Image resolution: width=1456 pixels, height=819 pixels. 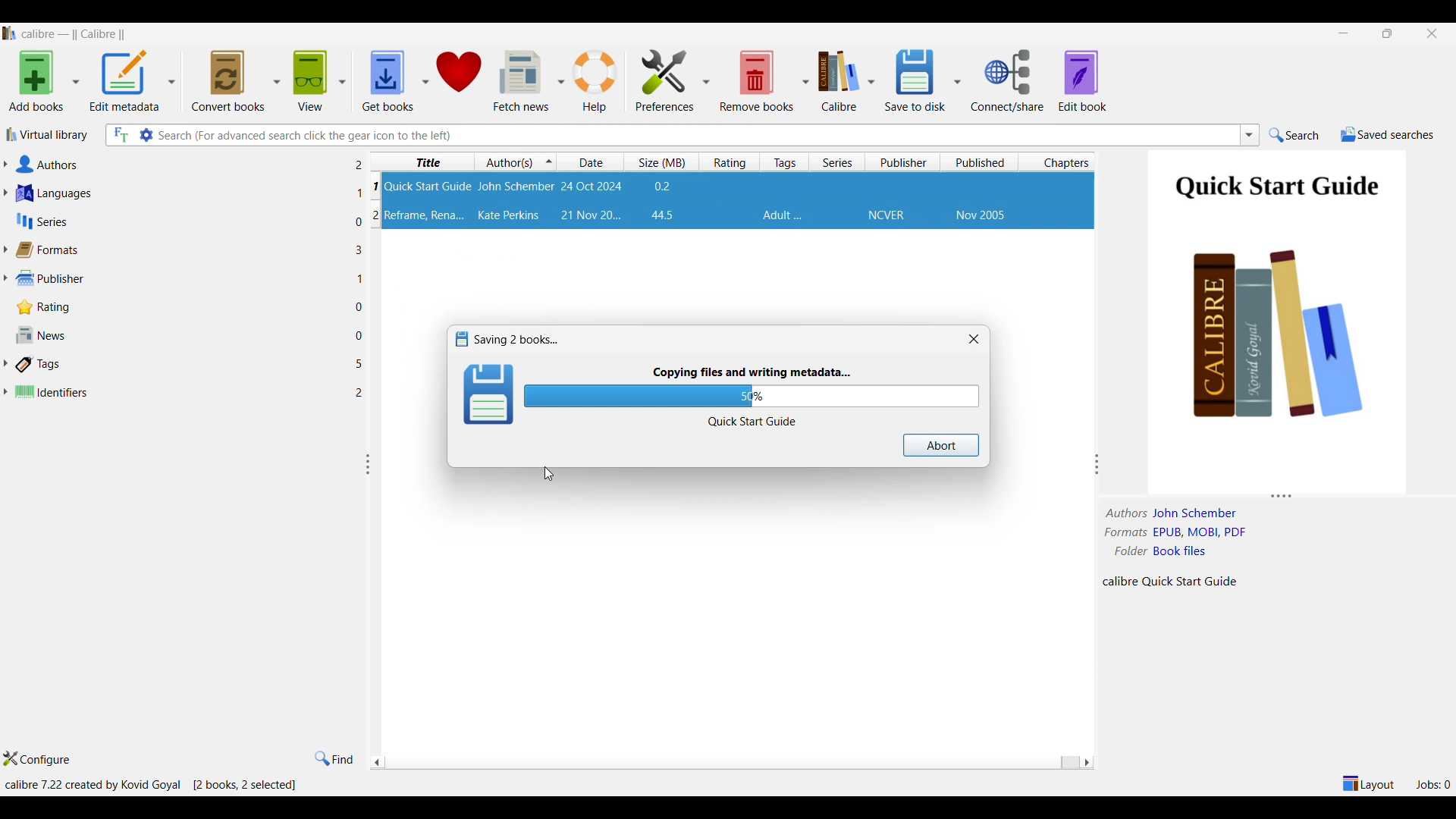 I want to click on Abort, so click(x=940, y=445).